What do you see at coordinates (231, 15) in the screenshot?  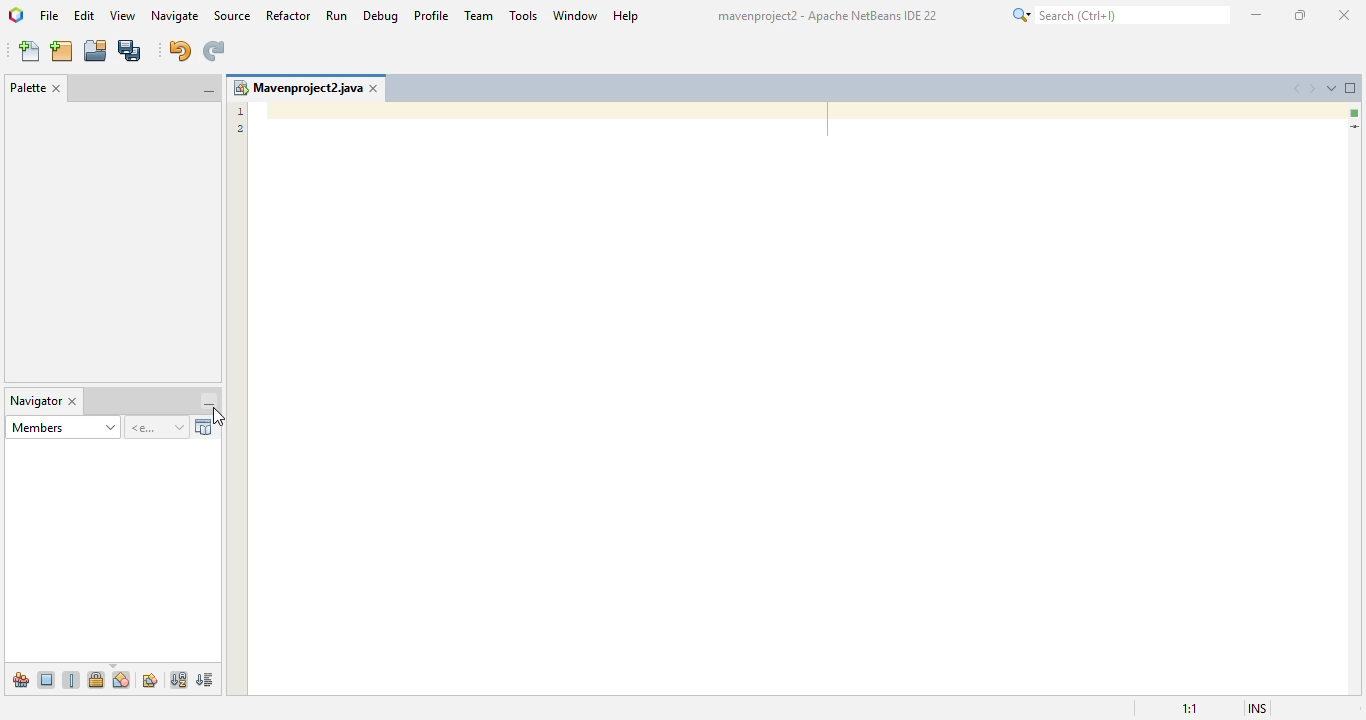 I see `source` at bounding box center [231, 15].